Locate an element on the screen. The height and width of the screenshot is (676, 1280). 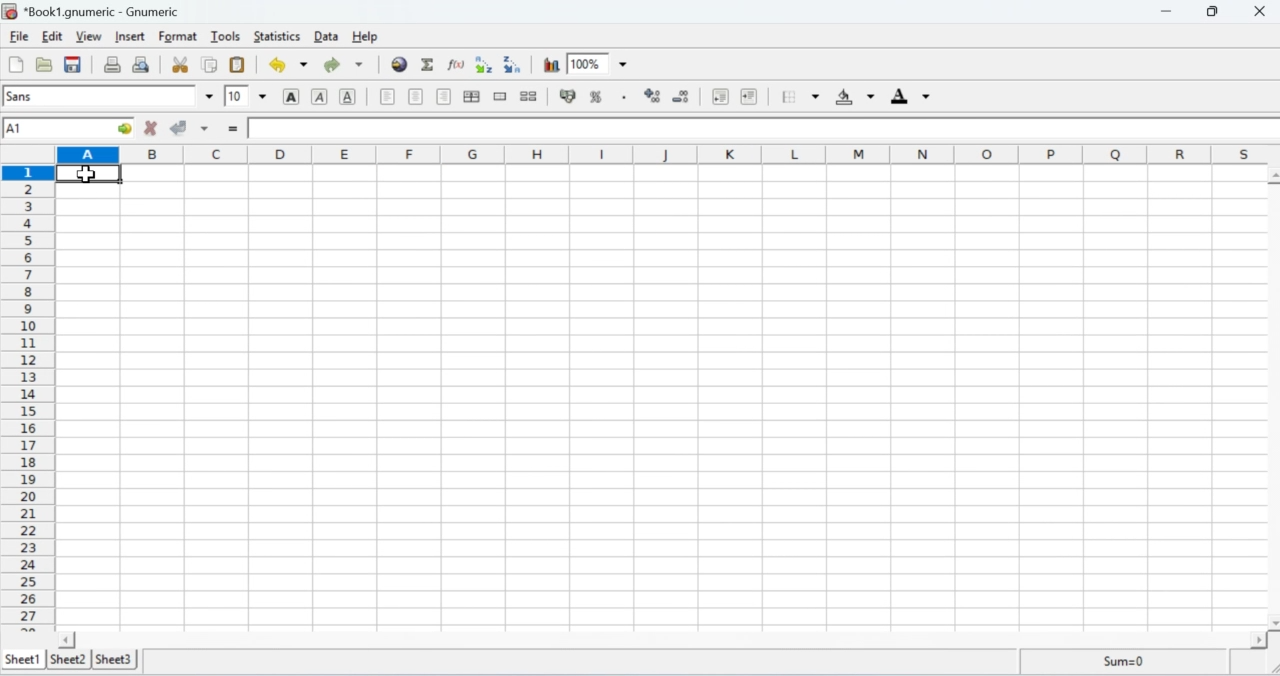
Italics is located at coordinates (320, 97).